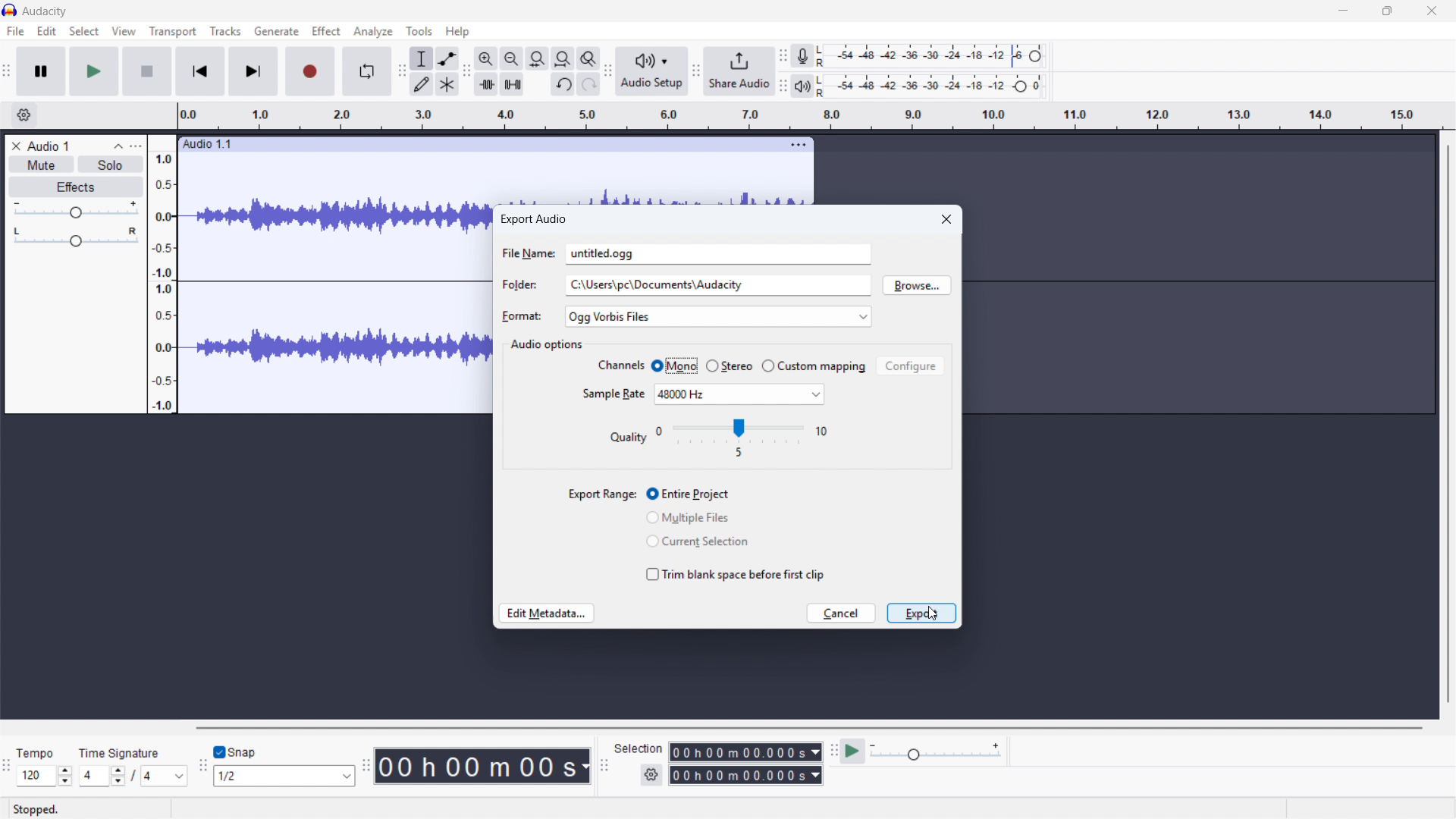 Image resolution: width=1456 pixels, height=819 pixels. I want to click on Trim blank space before first clip , so click(736, 570).